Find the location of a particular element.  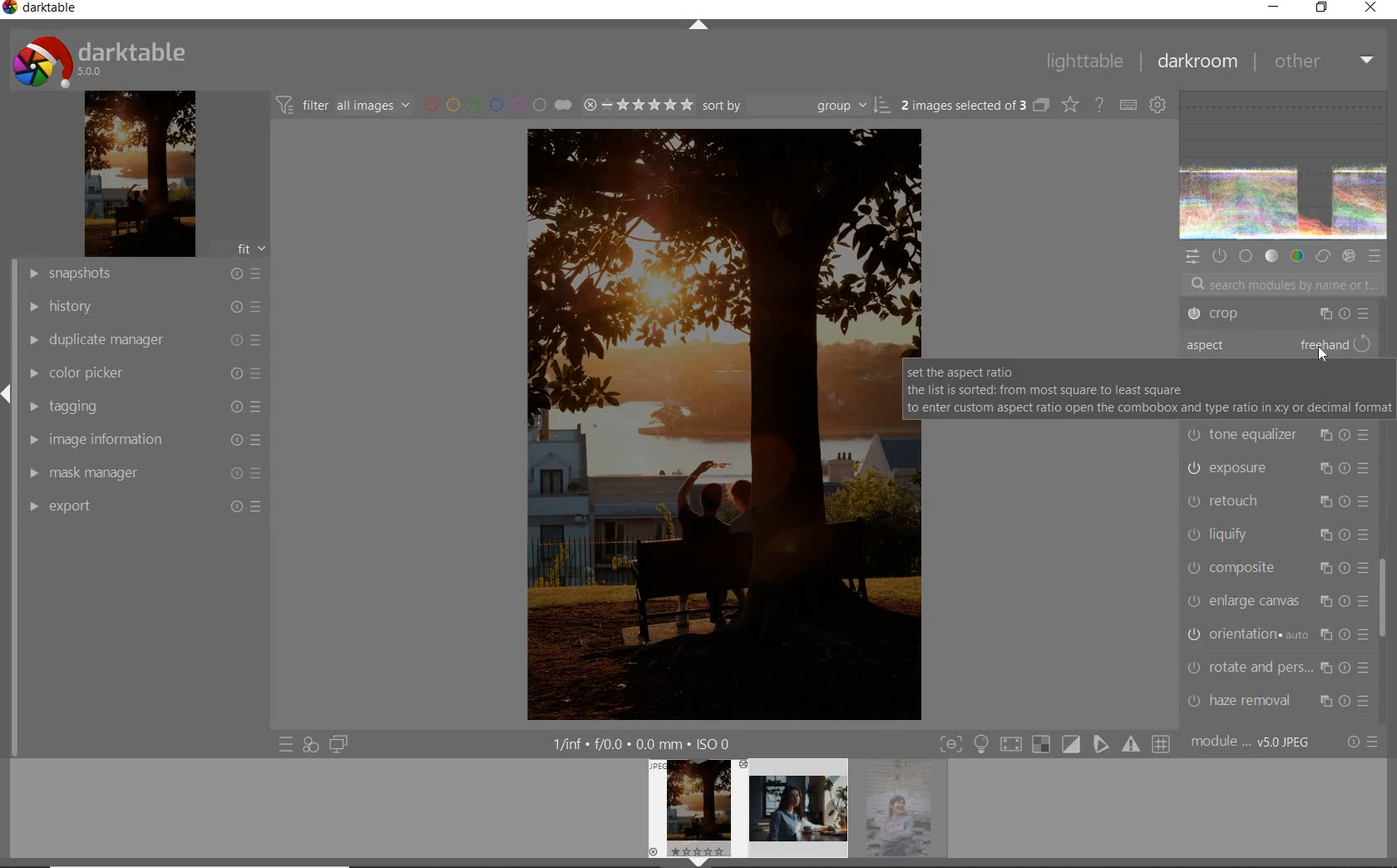

search modules by name is located at coordinates (1276, 284).